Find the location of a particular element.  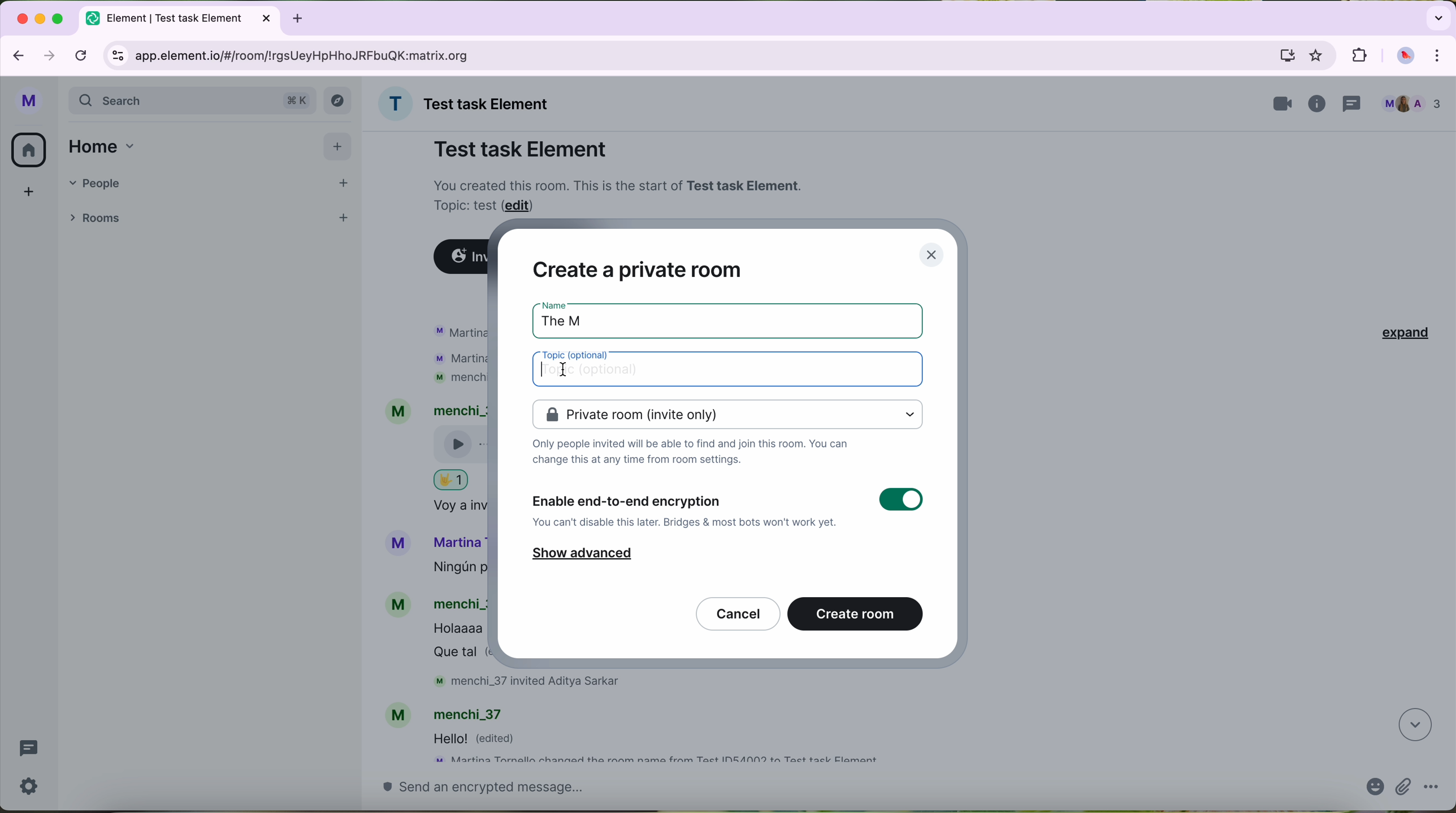

threads is located at coordinates (28, 750).